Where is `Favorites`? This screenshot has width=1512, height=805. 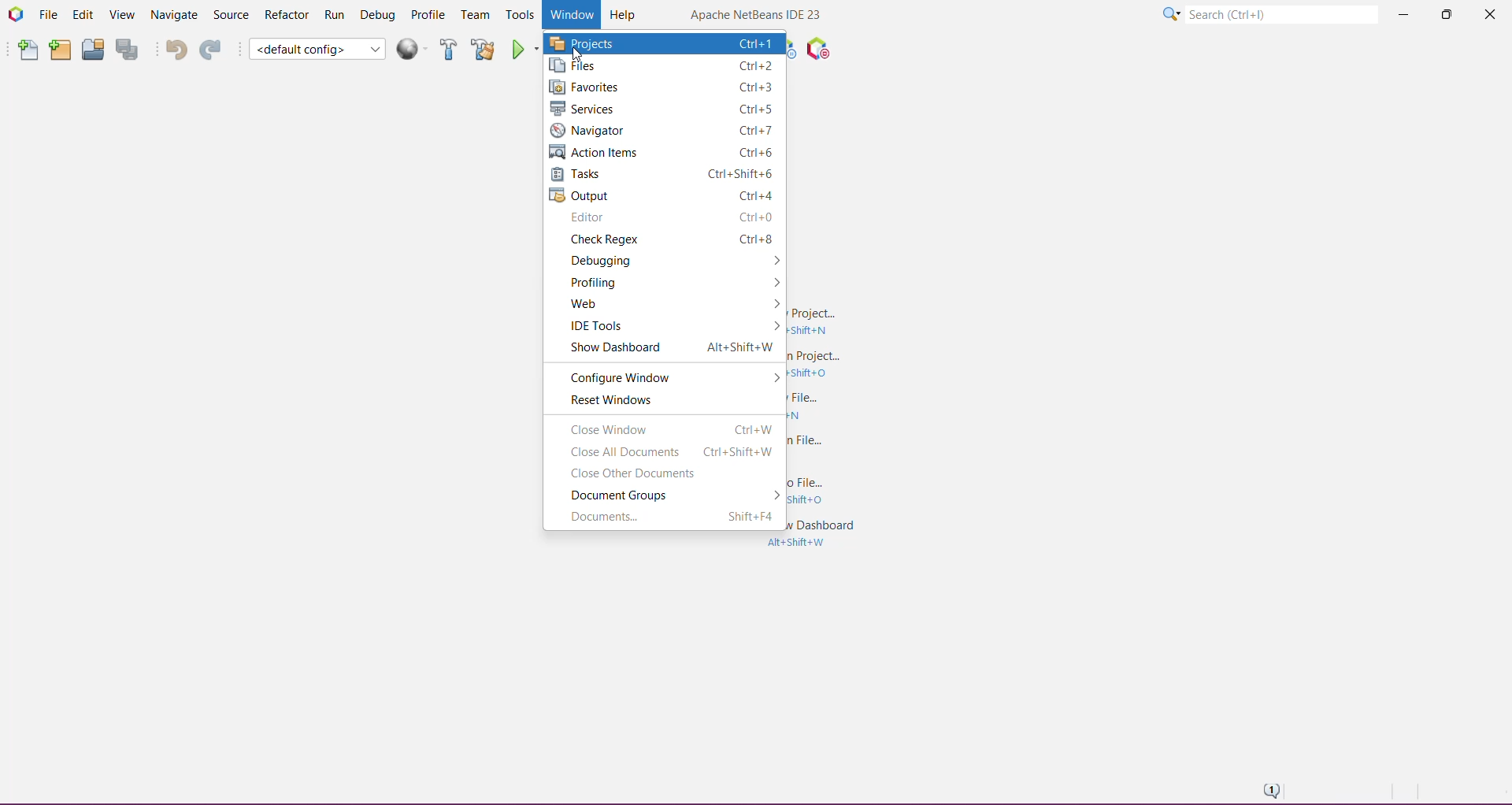 Favorites is located at coordinates (662, 87).